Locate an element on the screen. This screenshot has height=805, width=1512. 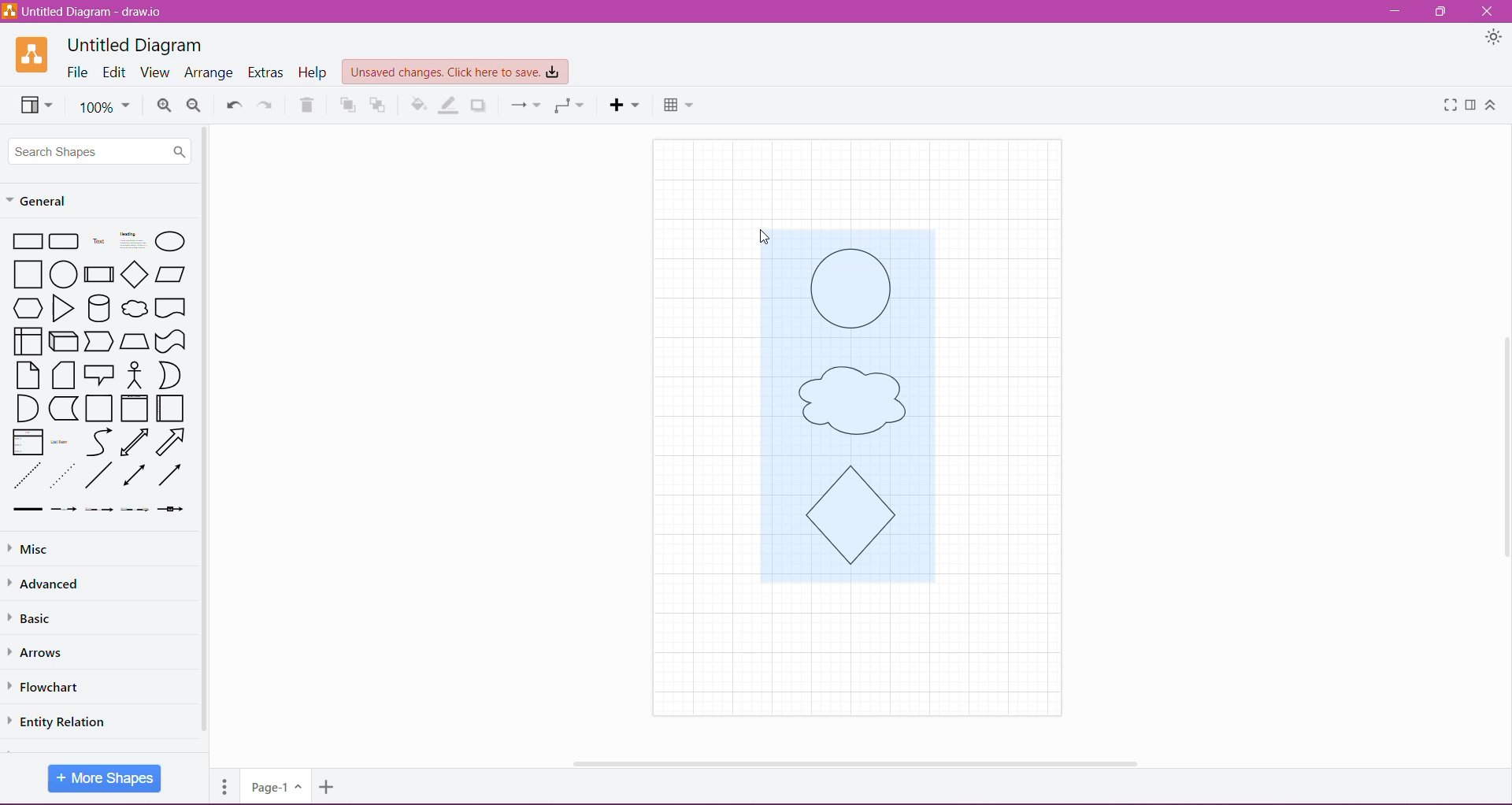
Page 1 is located at coordinates (274, 785).